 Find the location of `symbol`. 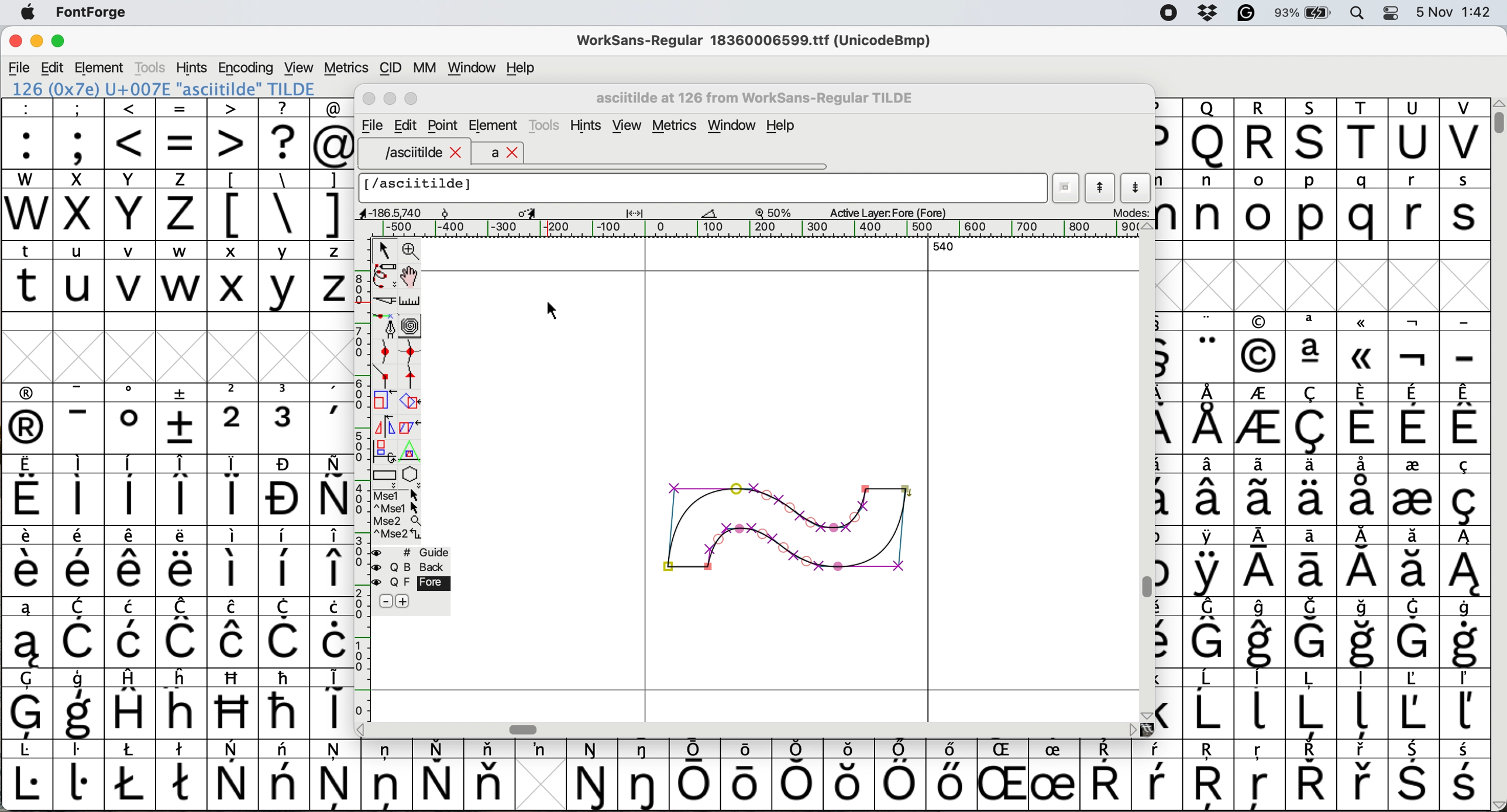

symbol is located at coordinates (1211, 490).